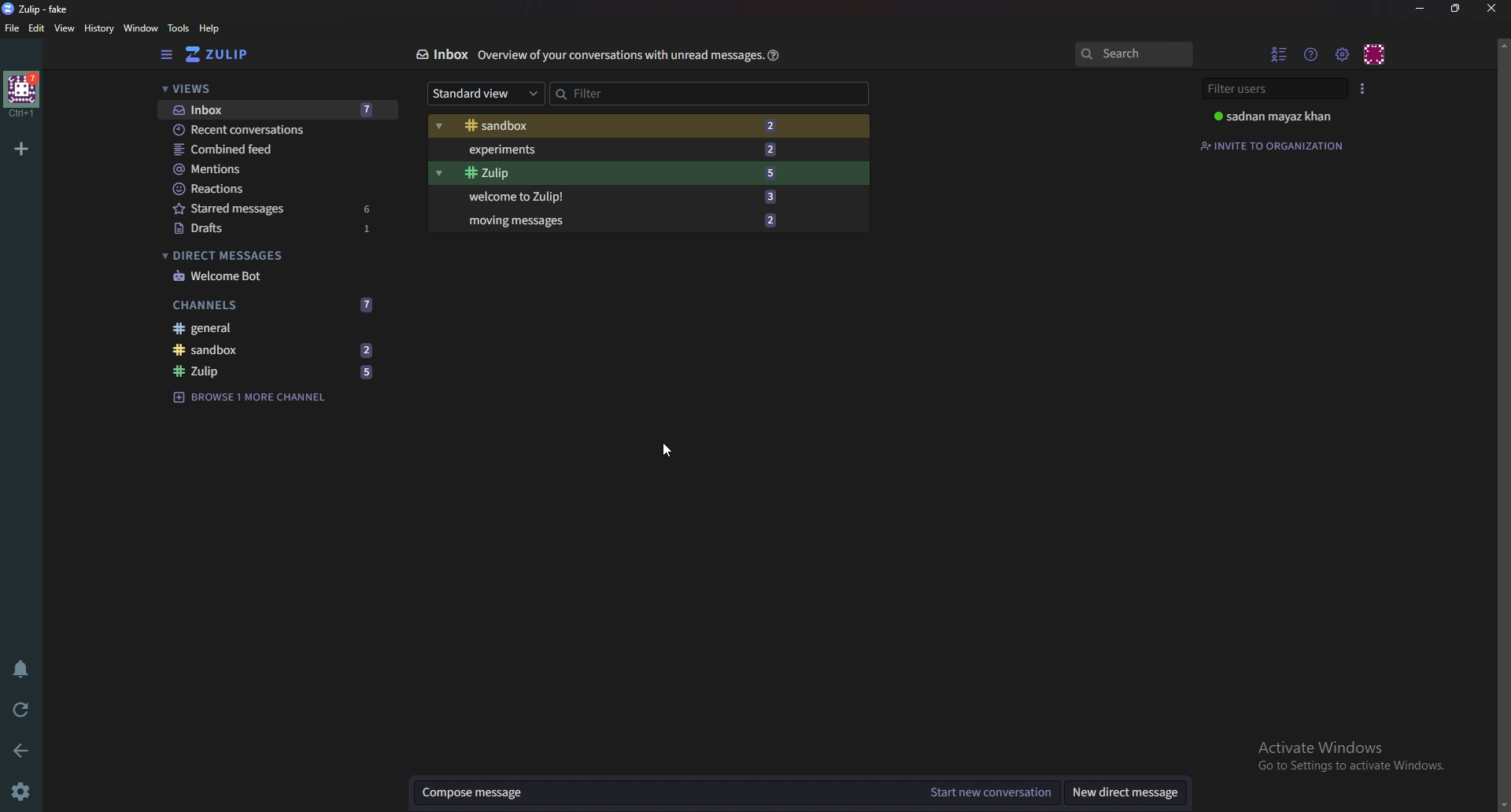 The width and height of the screenshot is (1511, 812). What do you see at coordinates (1136, 54) in the screenshot?
I see `Search` at bounding box center [1136, 54].